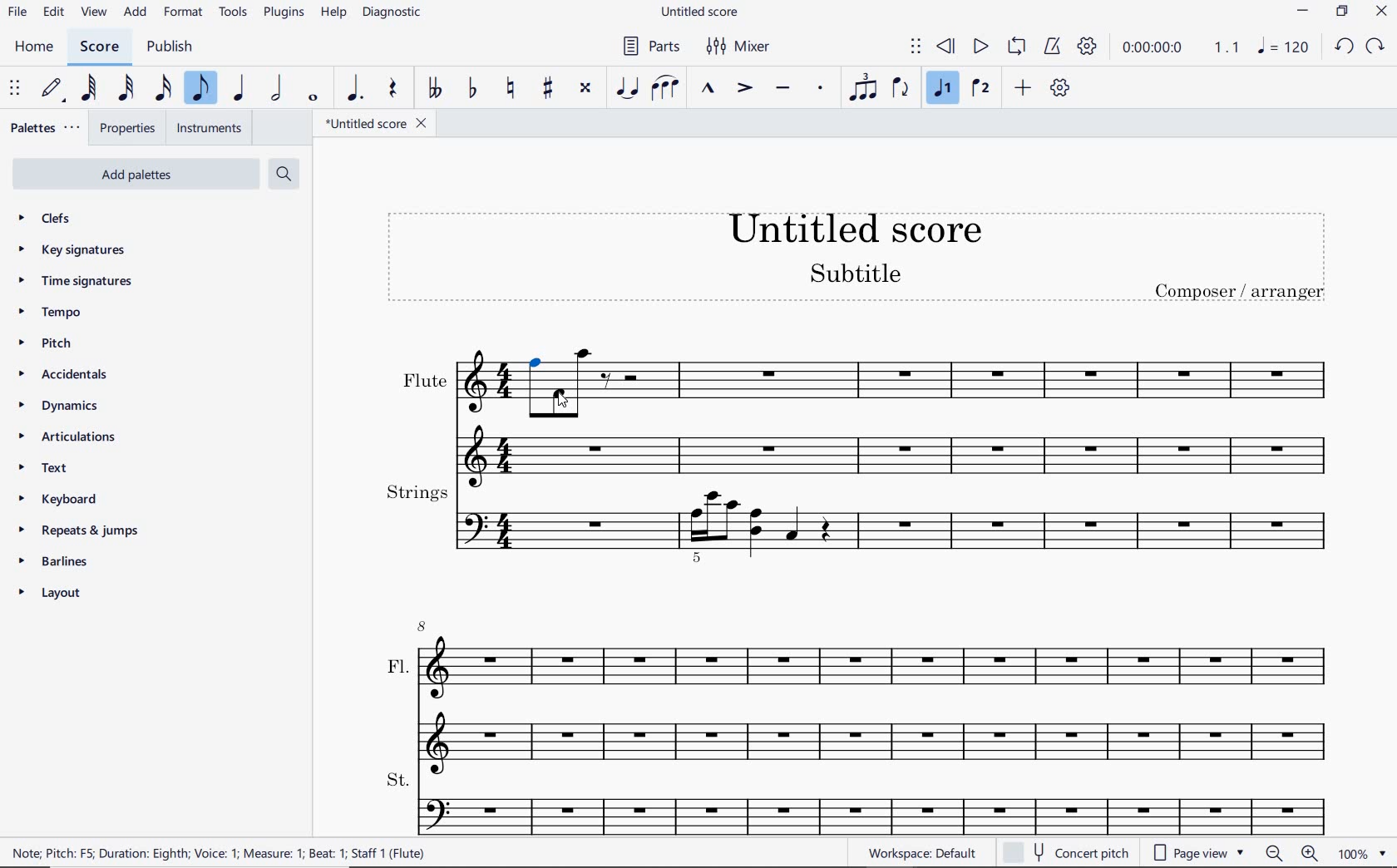  I want to click on PLUGINS, so click(285, 14).